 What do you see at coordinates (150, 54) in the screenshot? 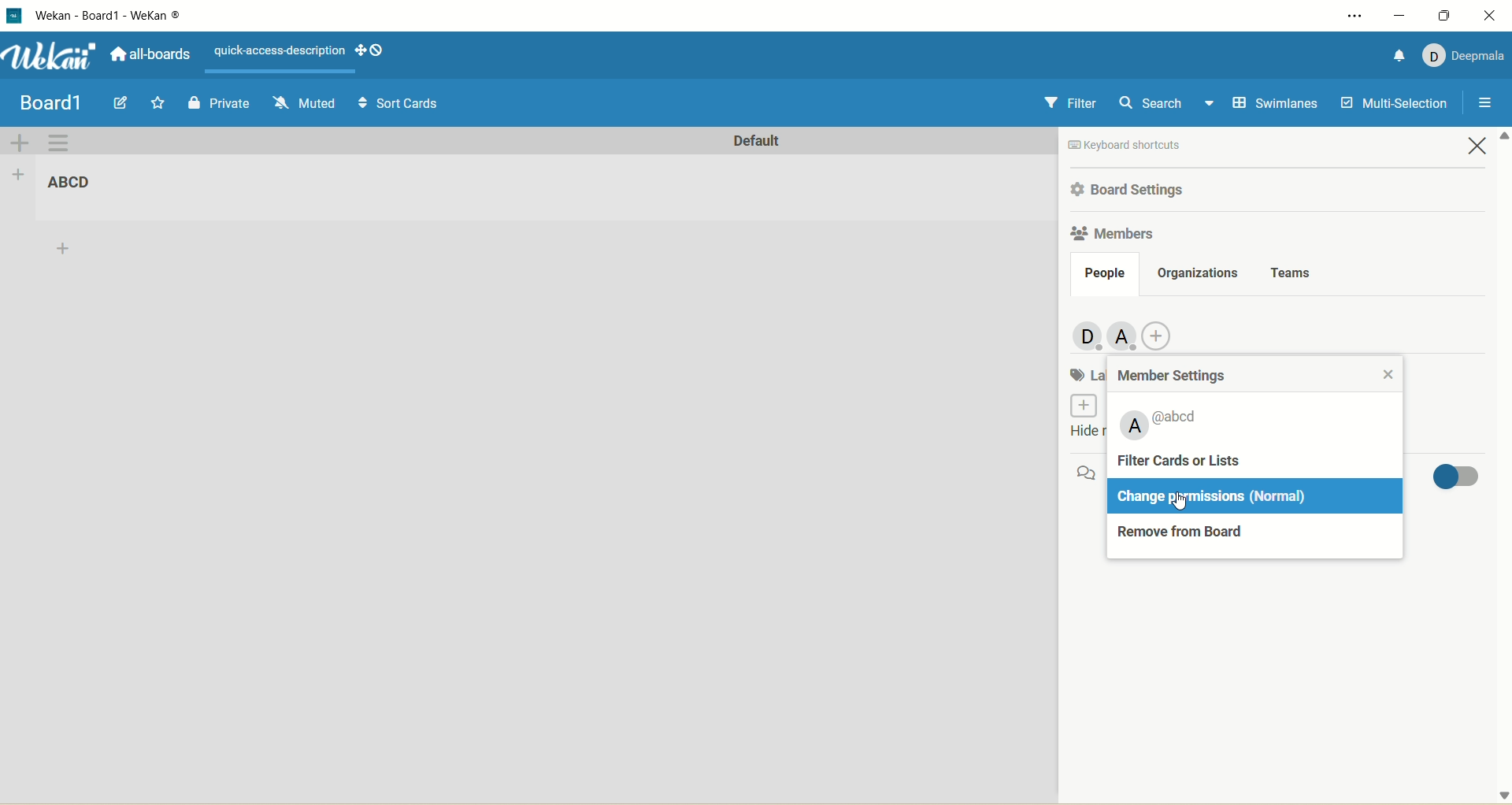
I see `all boards` at bounding box center [150, 54].